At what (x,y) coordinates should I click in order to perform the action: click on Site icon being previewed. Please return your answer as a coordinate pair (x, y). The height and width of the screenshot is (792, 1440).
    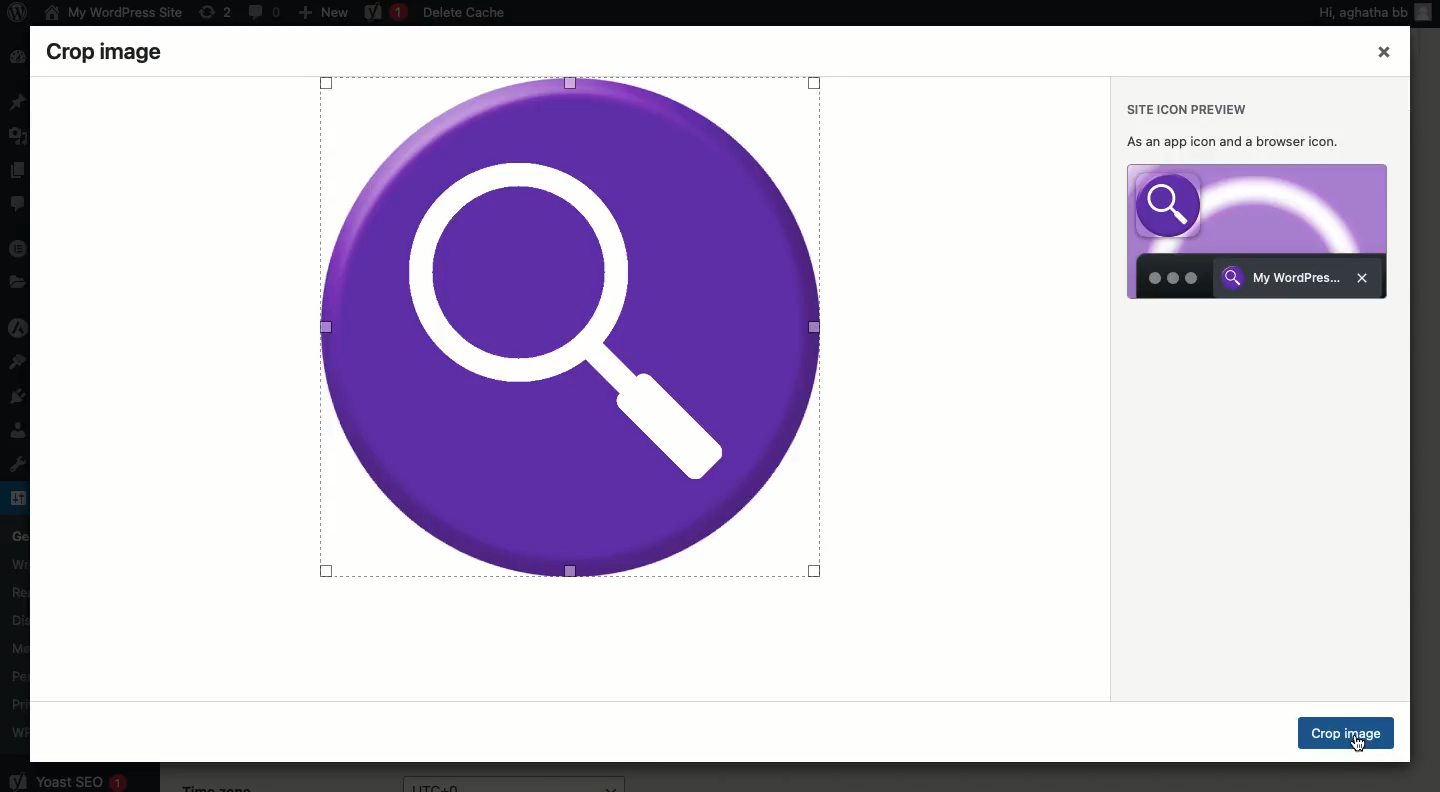
    Looking at the image, I should click on (1257, 232).